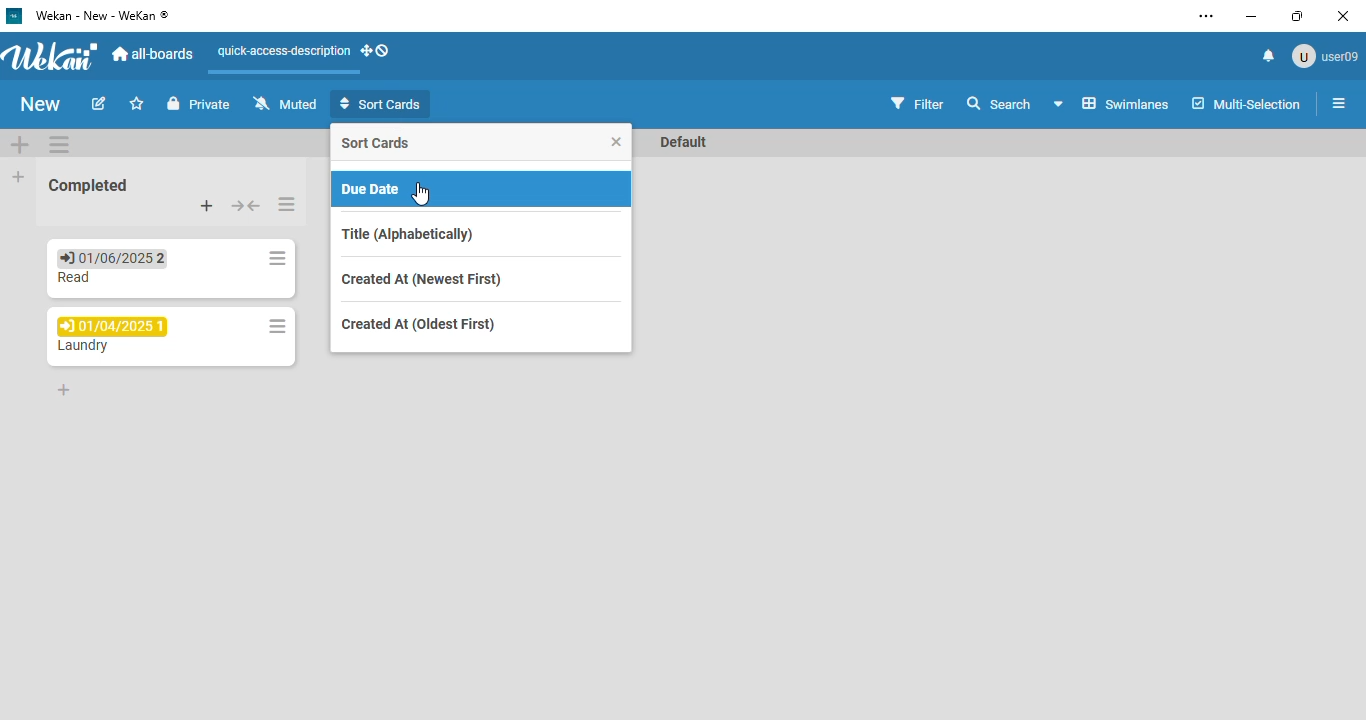 This screenshot has height=720, width=1366. I want to click on filter, so click(918, 102).